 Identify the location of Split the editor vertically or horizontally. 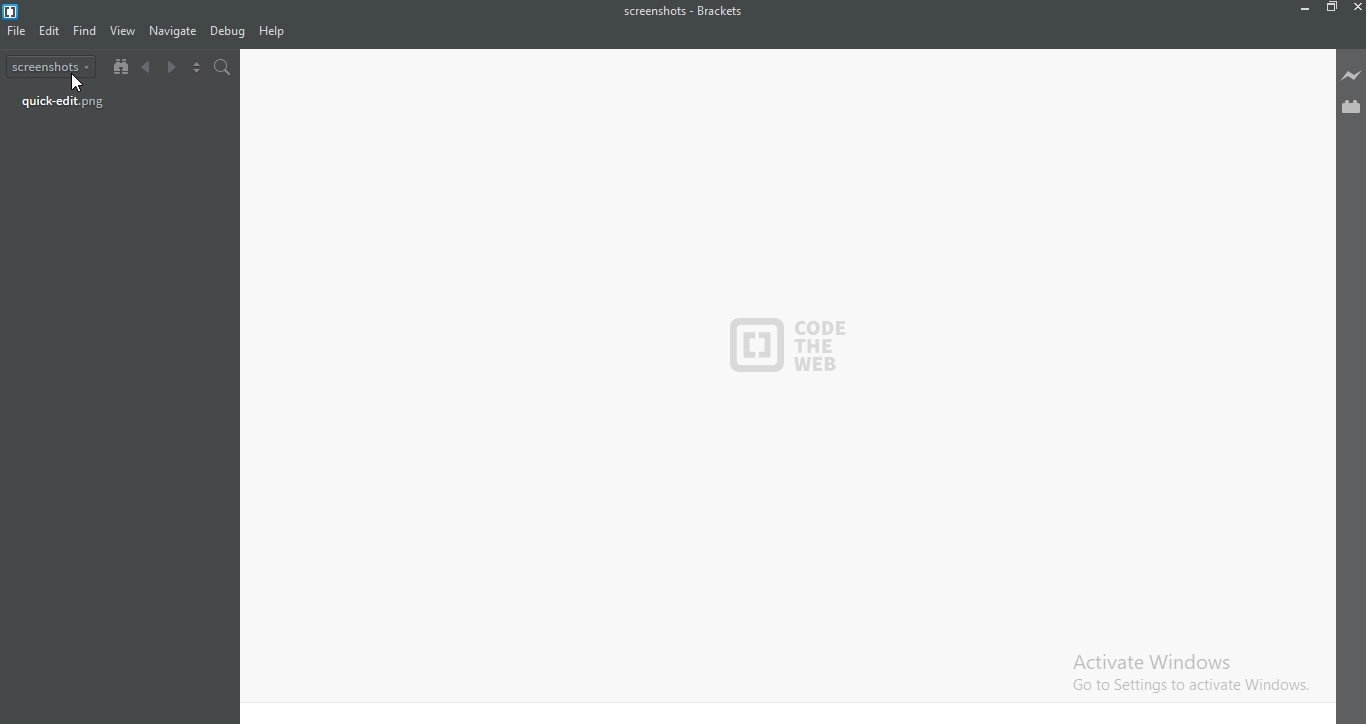
(196, 66).